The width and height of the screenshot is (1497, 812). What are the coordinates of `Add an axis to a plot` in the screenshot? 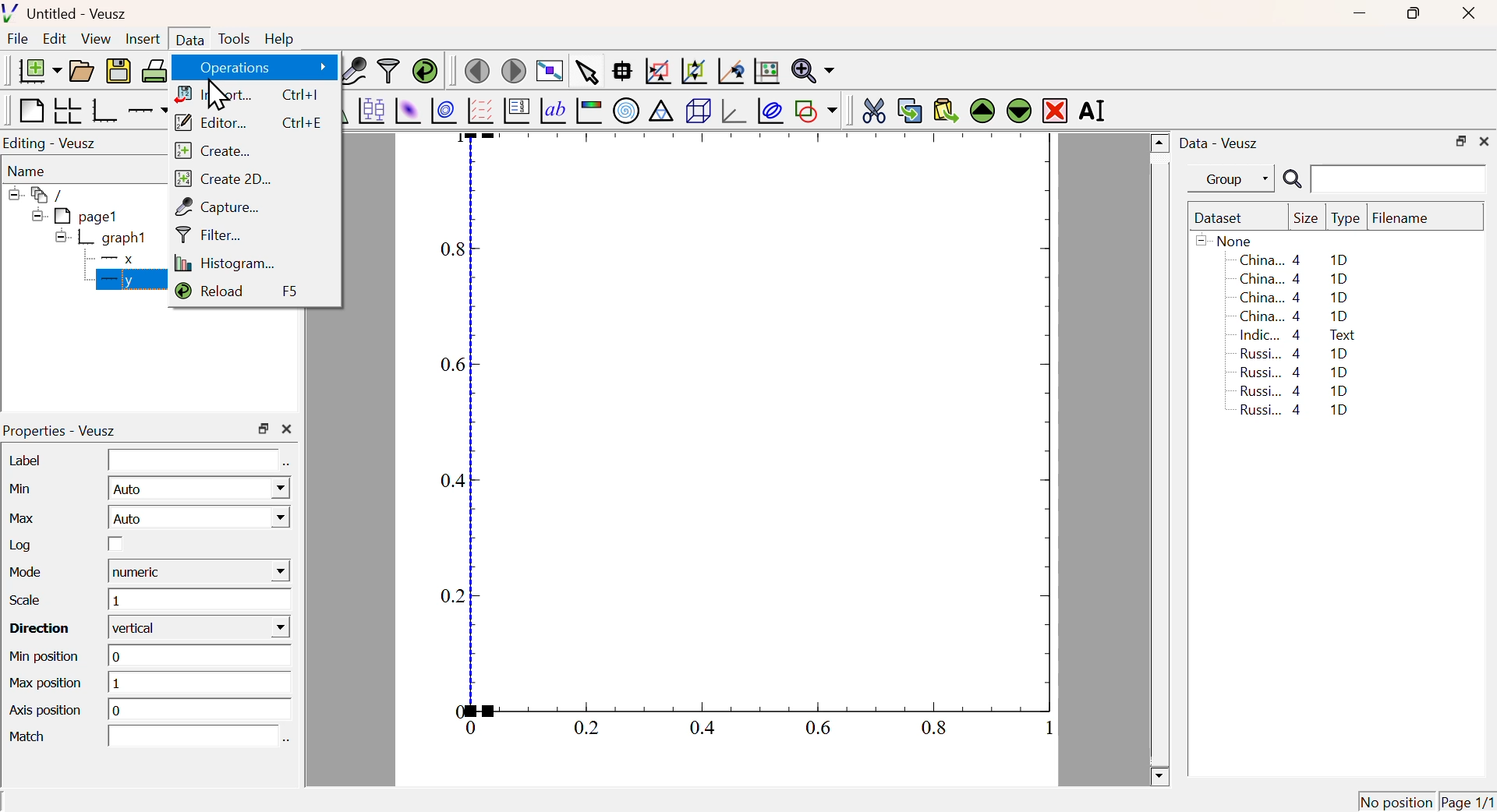 It's located at (148, 112).